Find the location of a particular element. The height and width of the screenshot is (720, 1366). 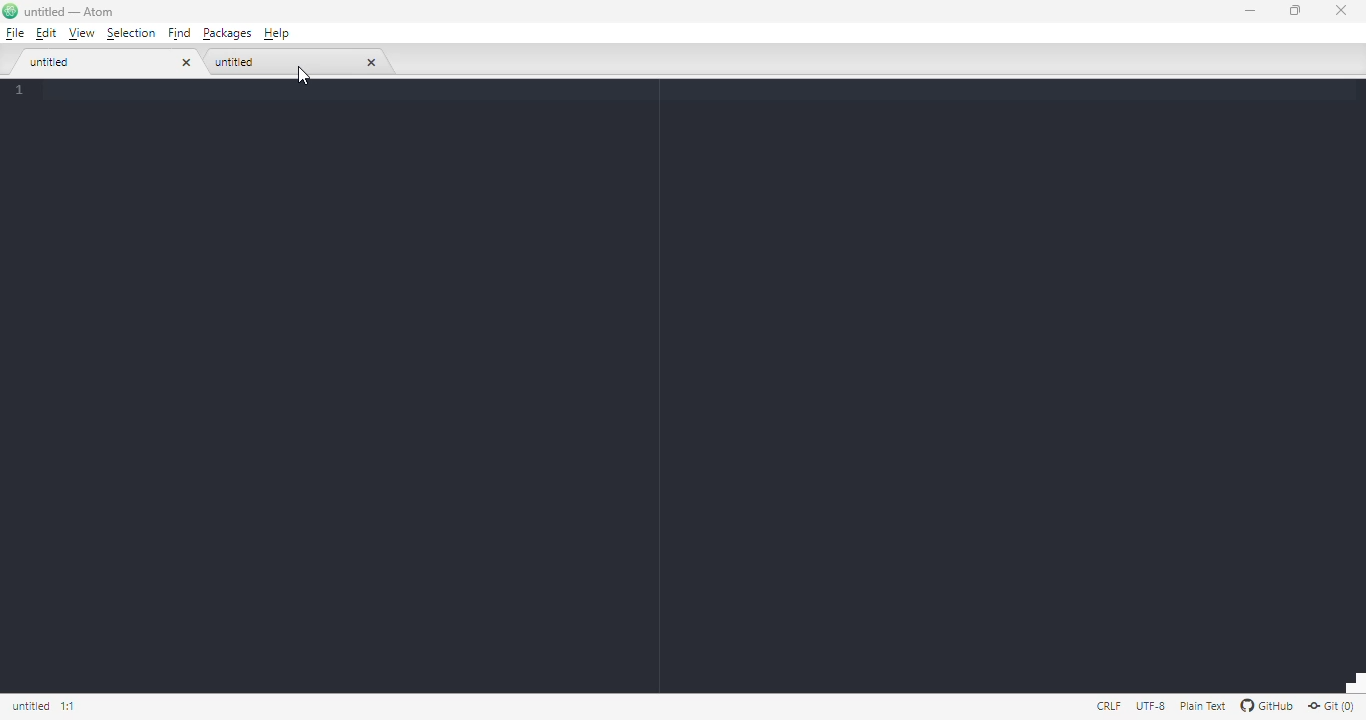

selection is located at coordinates (133, 34).